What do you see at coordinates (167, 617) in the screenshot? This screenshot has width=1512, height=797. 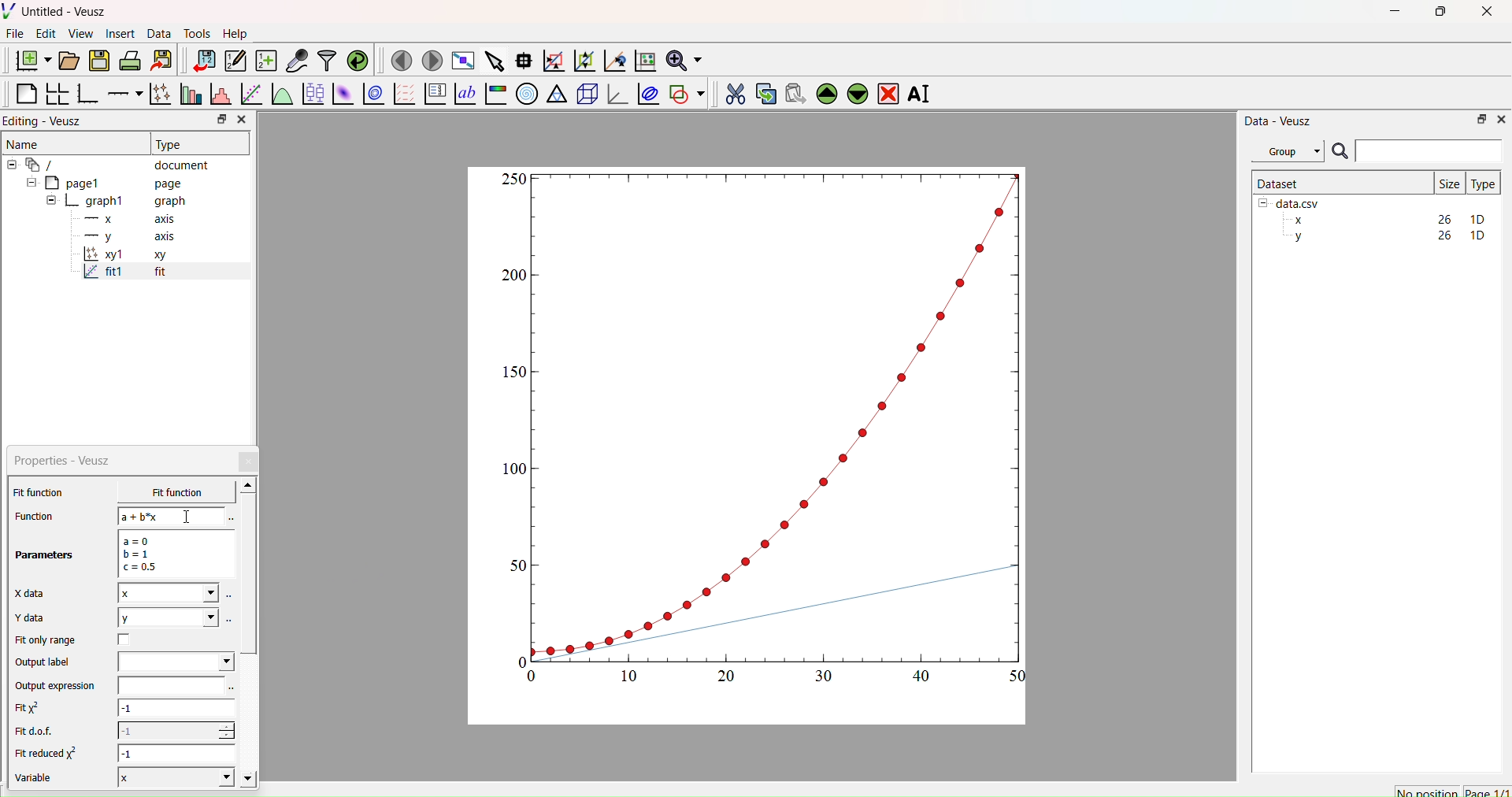 I see `y` at bounding box center [167, 617].